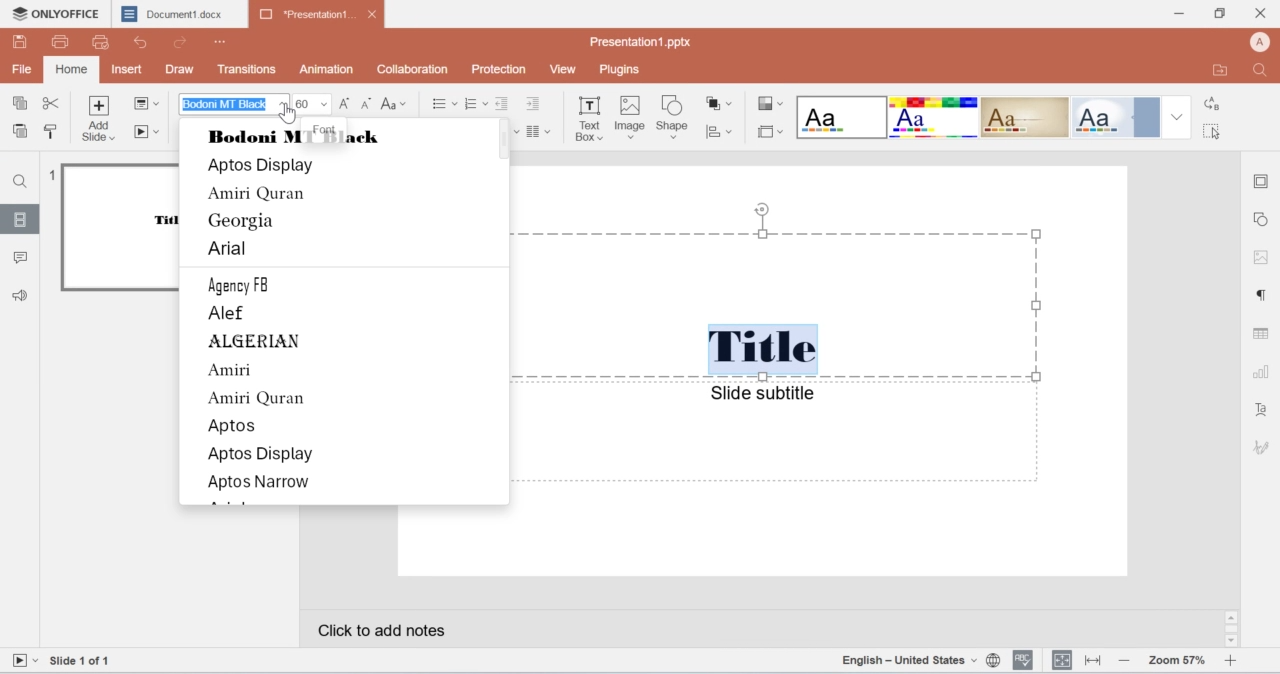 This screenshot has height=674, width=1280. Describe the element at coordinates (500, 69) in the screenshot. I see `Protection` at that location.